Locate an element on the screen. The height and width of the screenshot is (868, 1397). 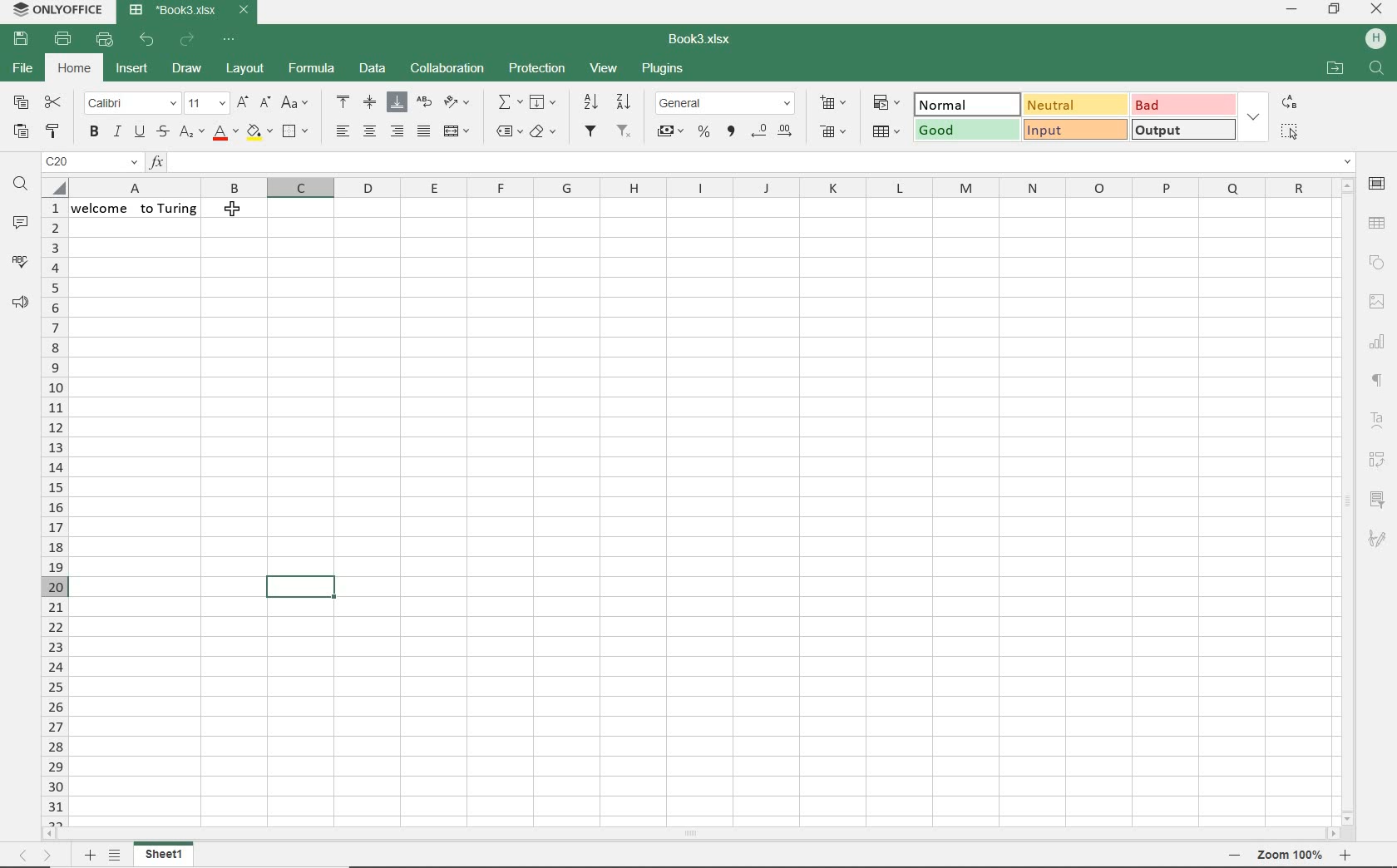
filters is located at coordinates (591, 131).